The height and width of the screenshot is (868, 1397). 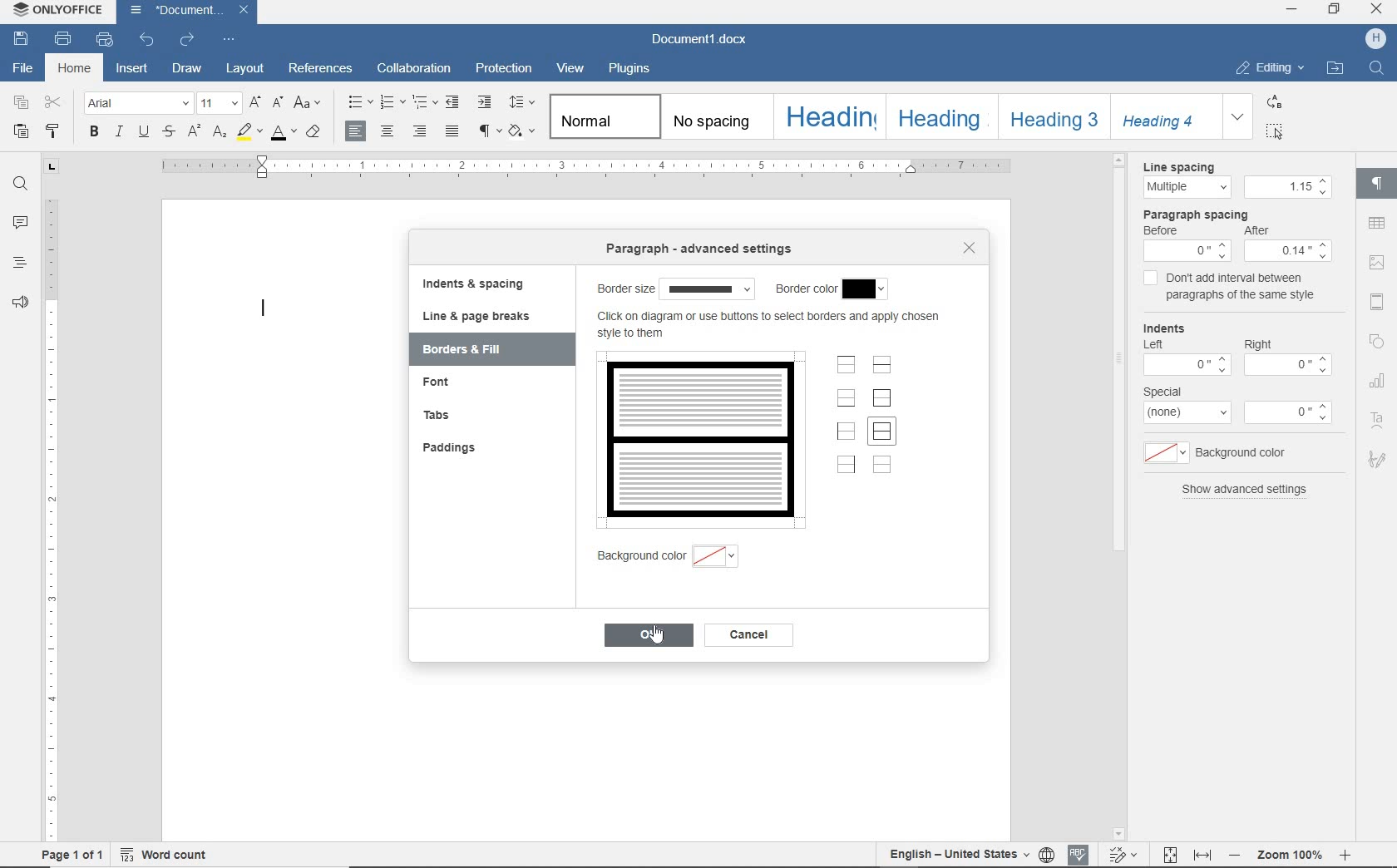 What do you see at coordinates (847, 400) in the screenshot?
I see `set bottom border only` at bounding box center [847, 400].